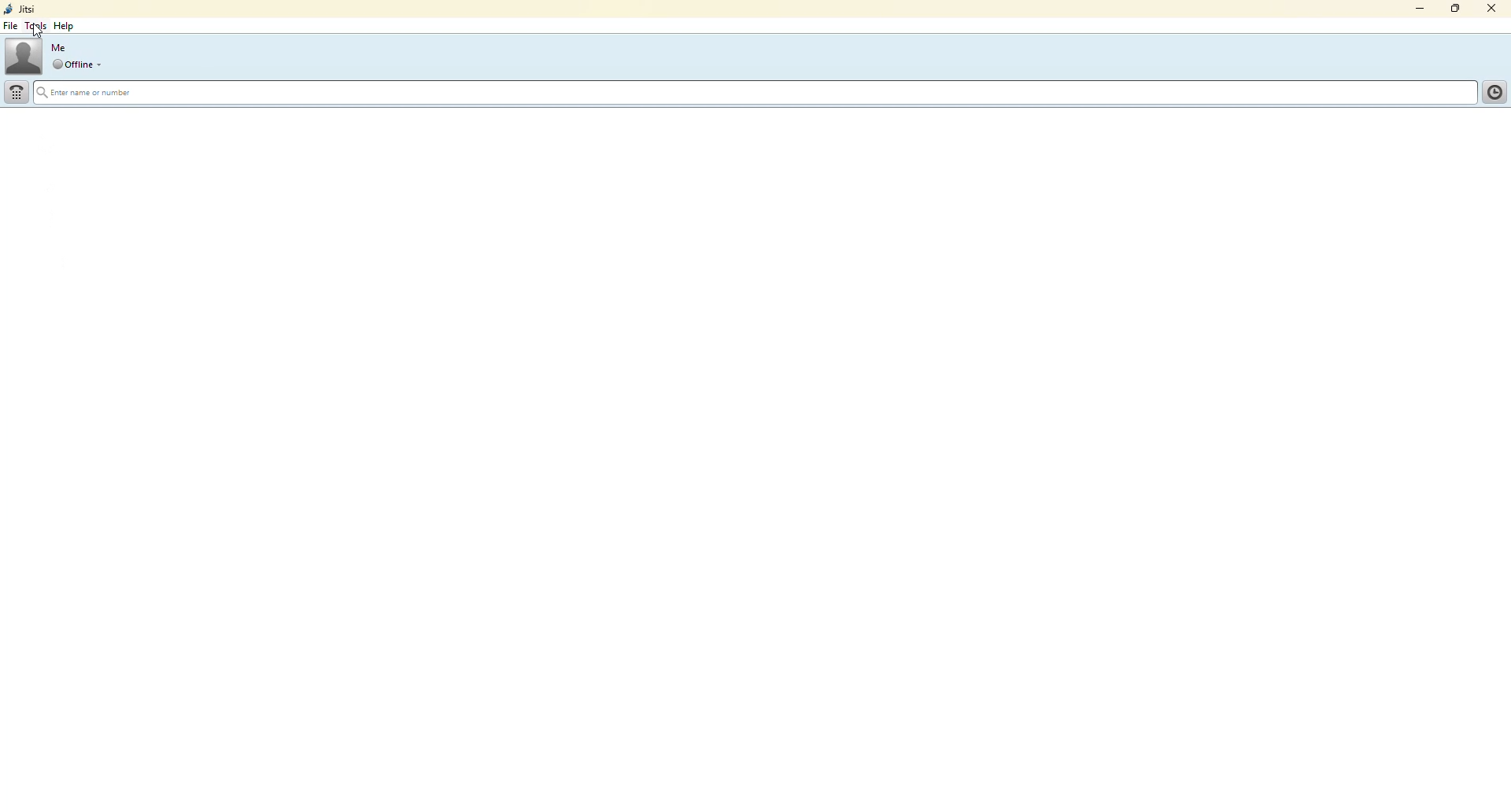 The width and height of the screenshot is (1511, 812). What do you see at coordinates (17, 92) in the screenshot?
I see `dialpad` at bounding box center [17, 92].